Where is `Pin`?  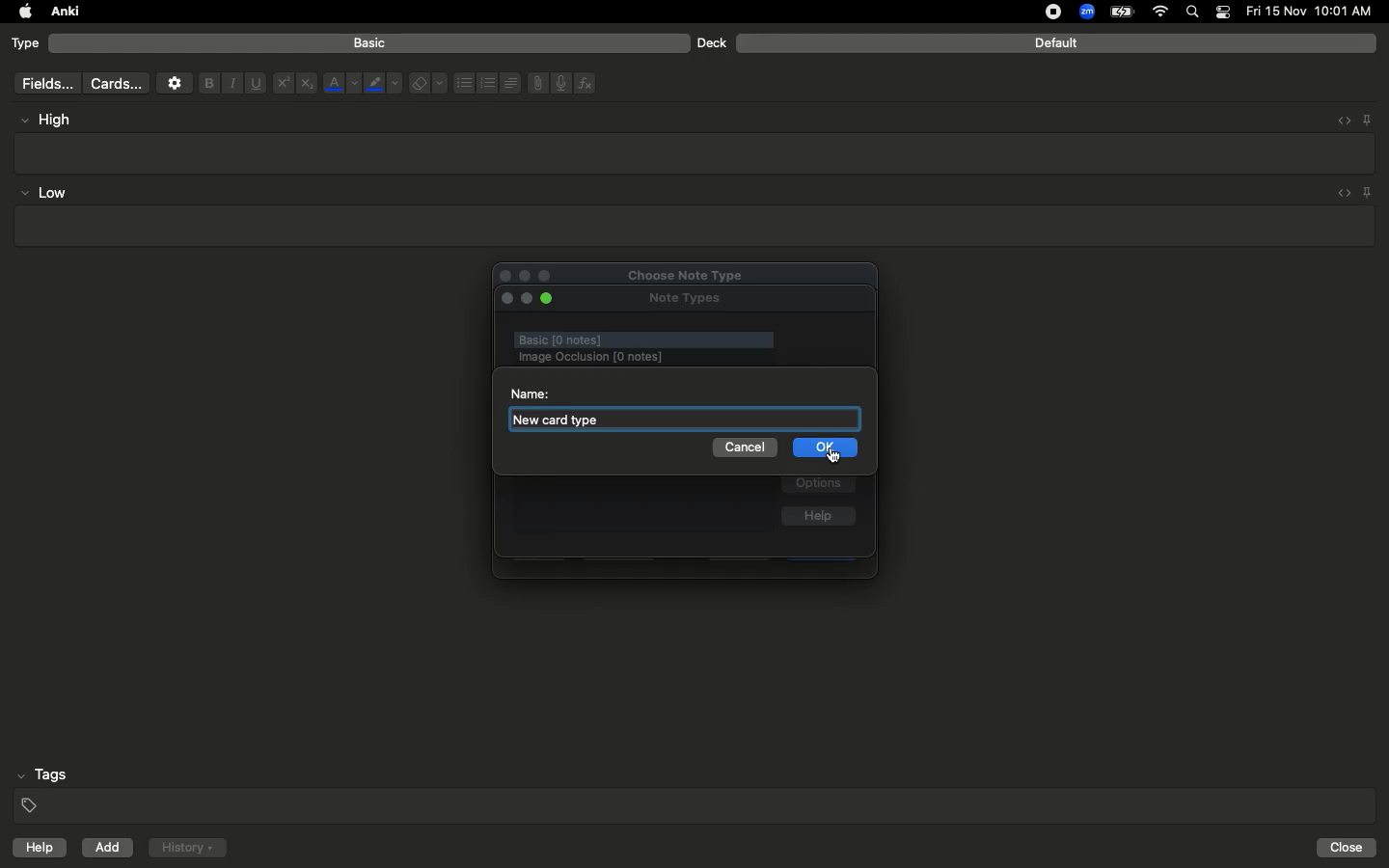 Pin is located at coordinates (1369, 192).